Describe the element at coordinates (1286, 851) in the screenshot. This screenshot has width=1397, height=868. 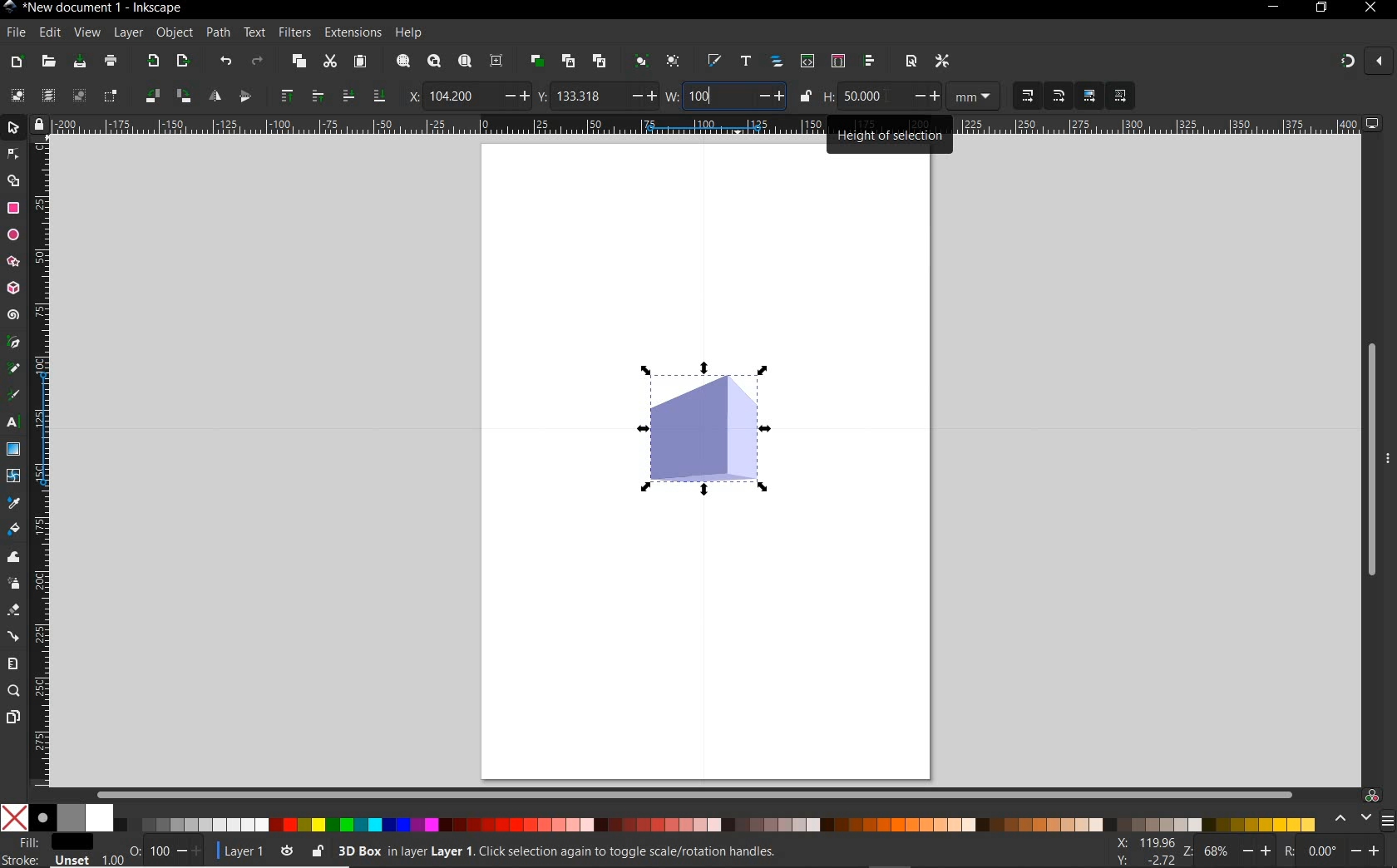
I see `rotation` at that location.